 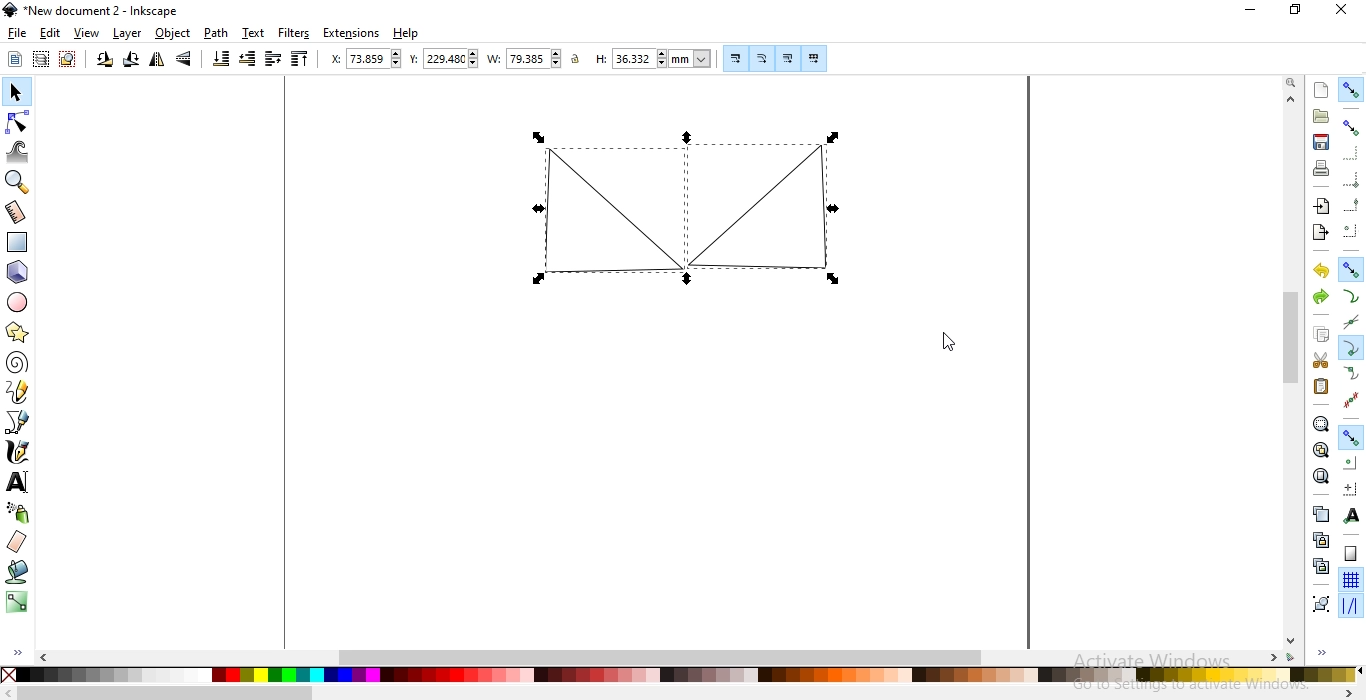 What do you see at coordinates (1317, 539) in the screenshot?
I see `create a clone` at bounding box center [1317, 539].